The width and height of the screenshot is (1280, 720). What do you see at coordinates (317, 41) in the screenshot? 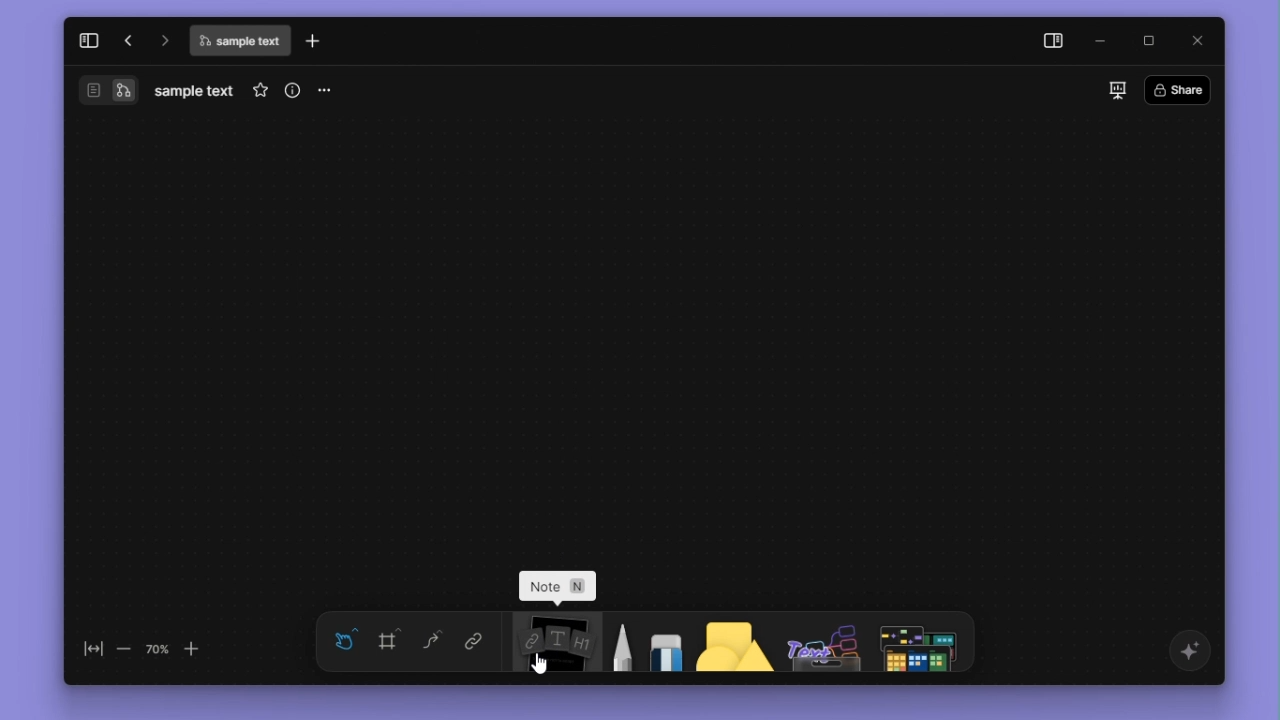
I see `new tab` at bounding box center [317, 41].